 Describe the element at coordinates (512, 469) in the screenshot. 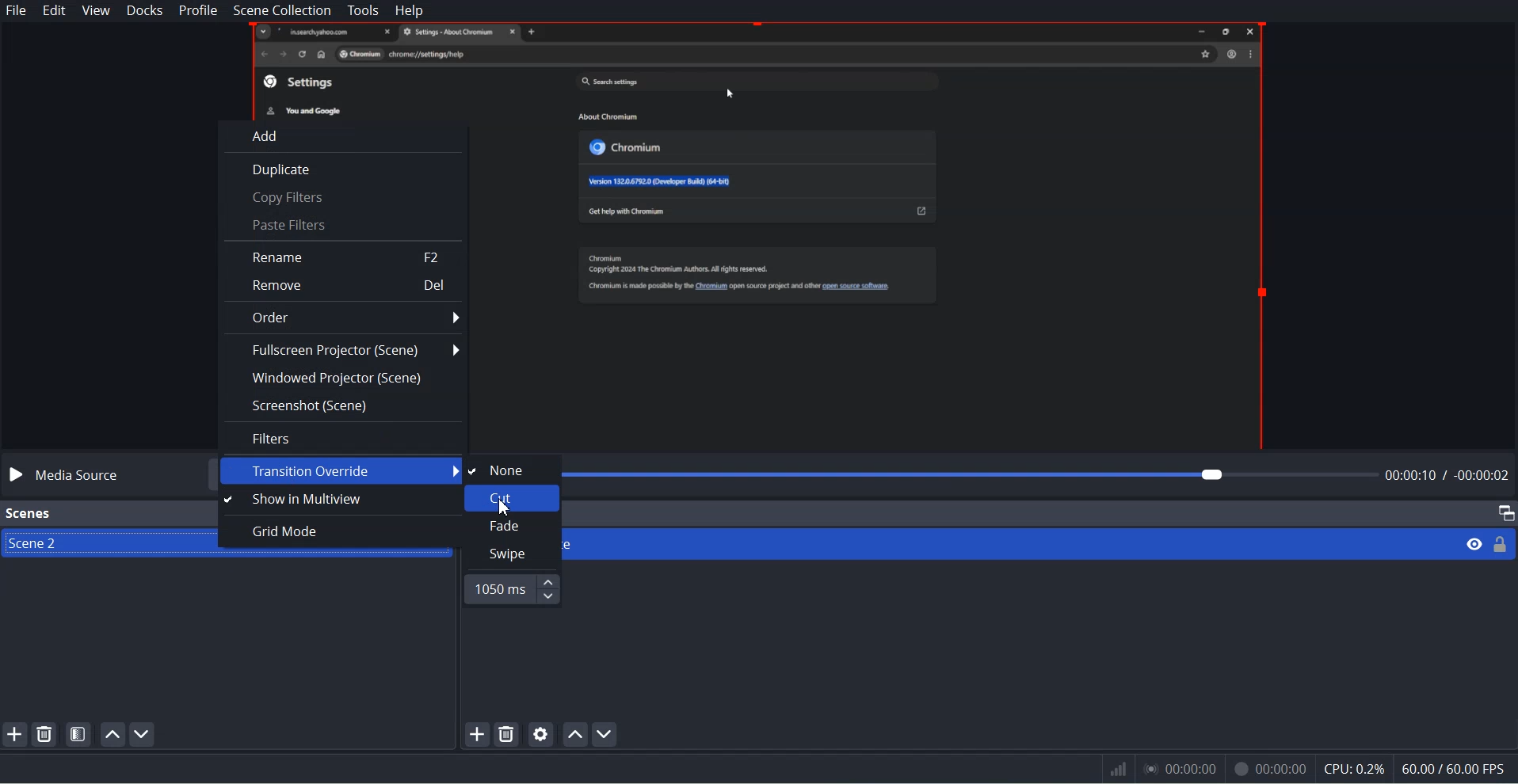

I see `None` at that location.